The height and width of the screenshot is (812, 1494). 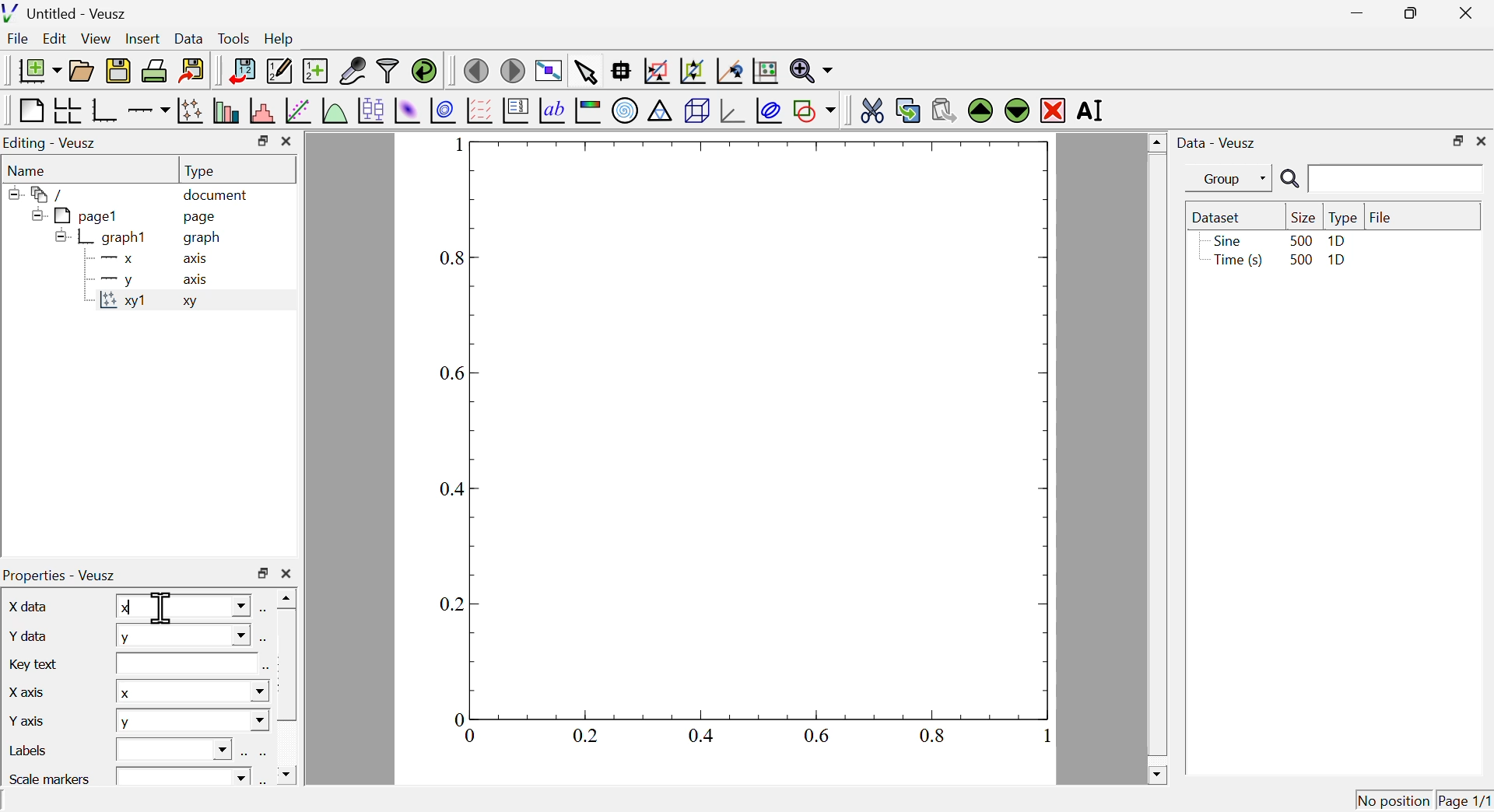 I want to click on 0.4, so click(x=454, y=491).